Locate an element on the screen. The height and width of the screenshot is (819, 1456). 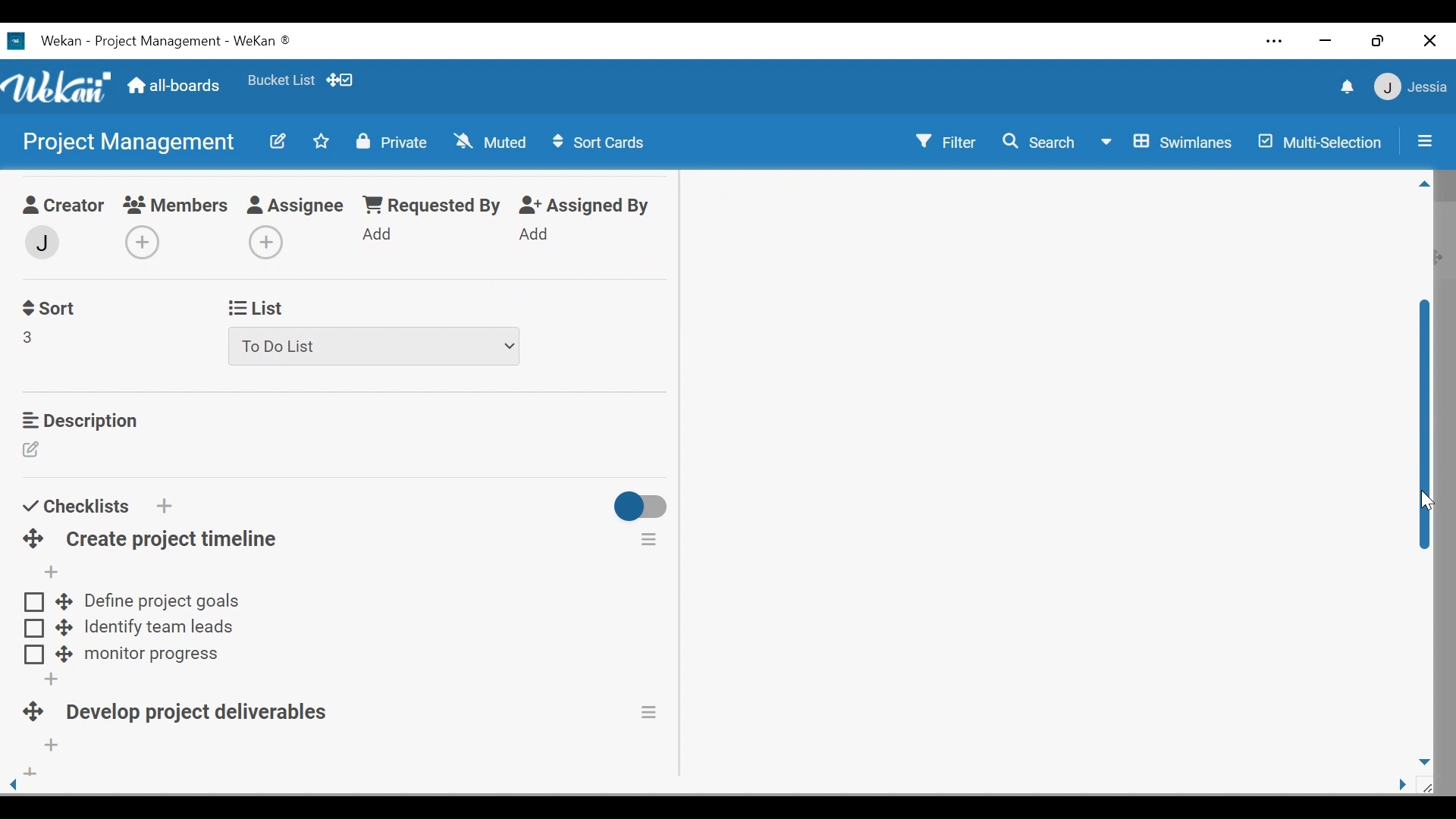
cursor is located at coordinates (1423, 503).